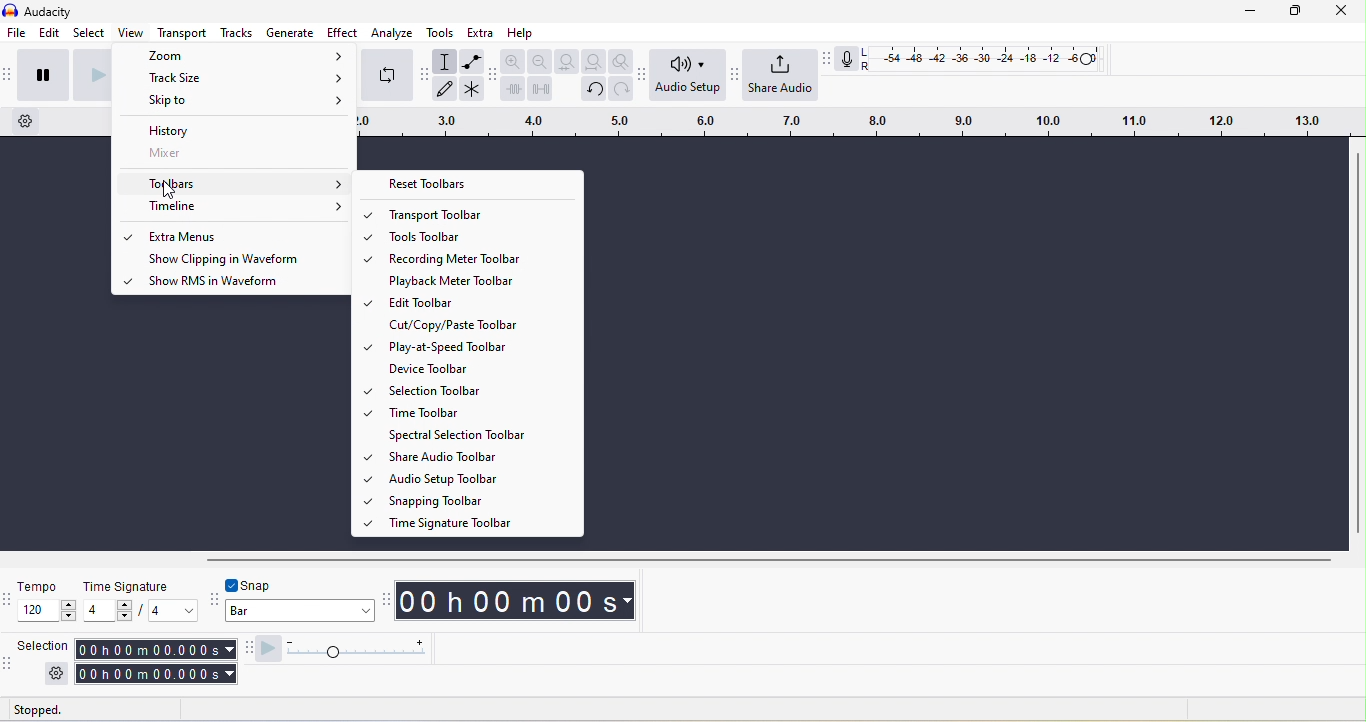 The image size is (1366, 722). I want to click on pause, so click(44, 76).